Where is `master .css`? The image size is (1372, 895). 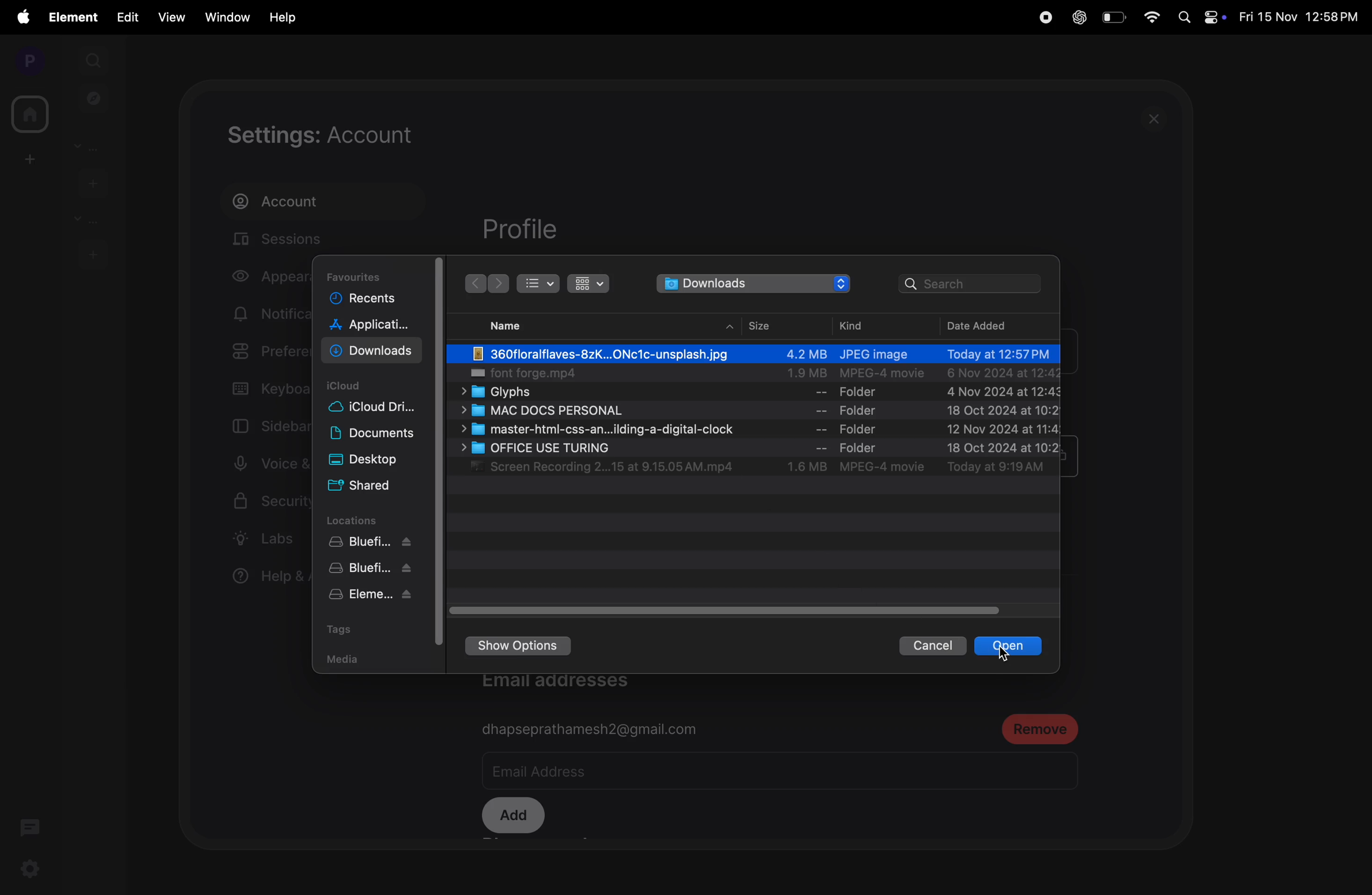
master .css is located at coordinates (755, 431).